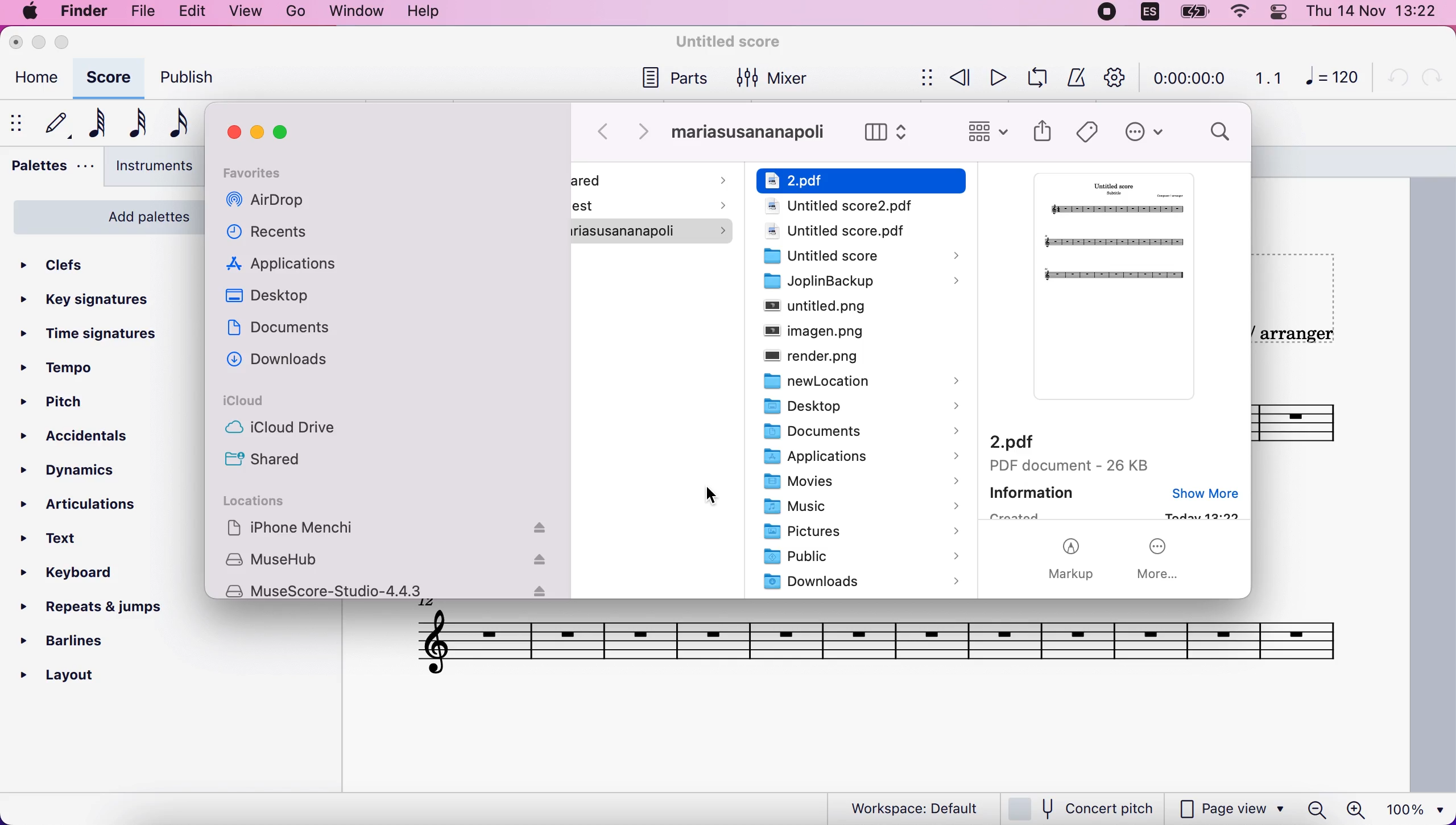  What do you see at coordinates (291, 333) in the screenshot?
I see `documents` at bounding box center [291, 333].